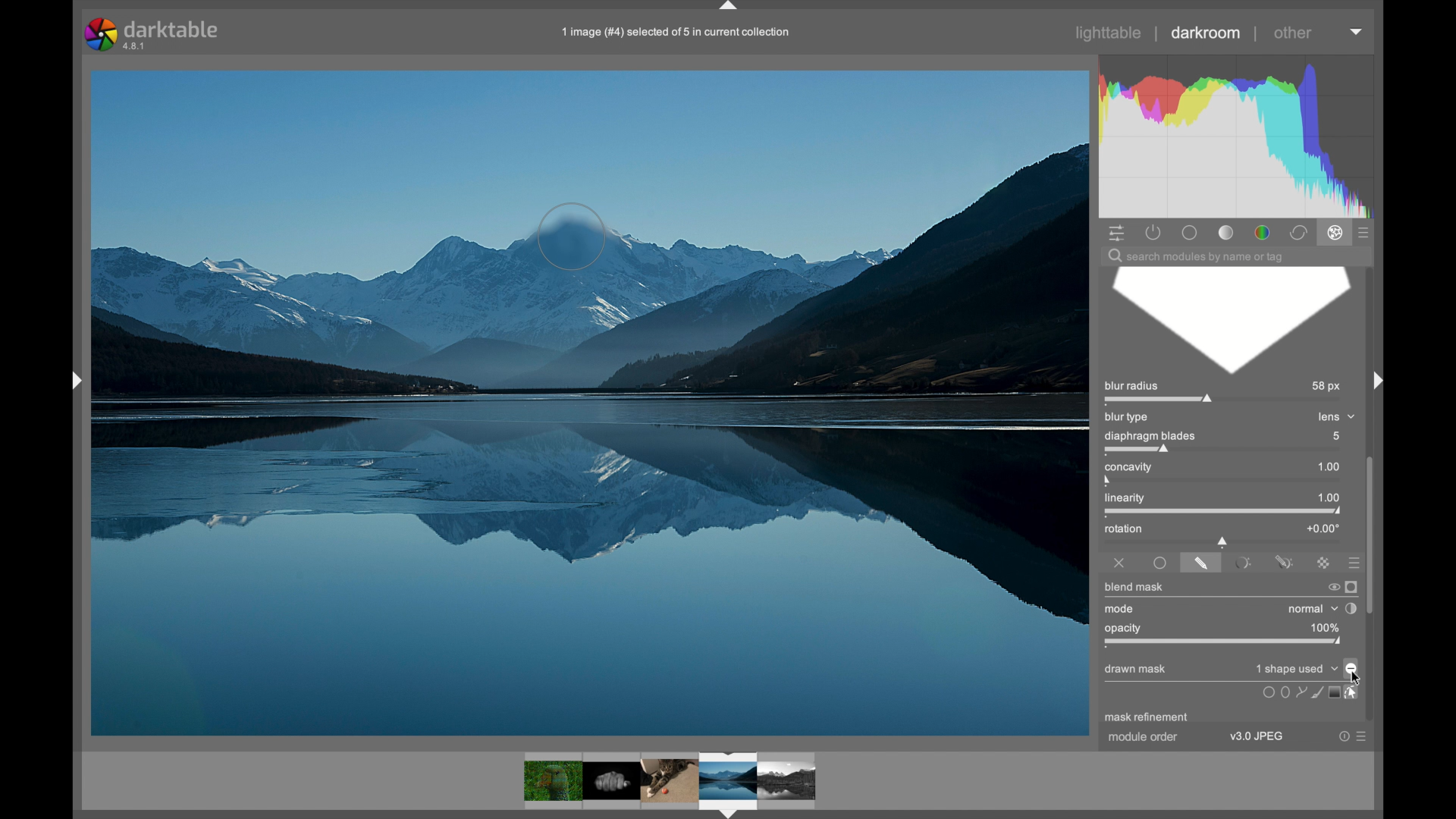 The width and height of the screenshot is (1456, 819). What do you see at coordinates (1146, 718) in the screenshot?
I see `mask refinement` at bounding box center [1146, 718].